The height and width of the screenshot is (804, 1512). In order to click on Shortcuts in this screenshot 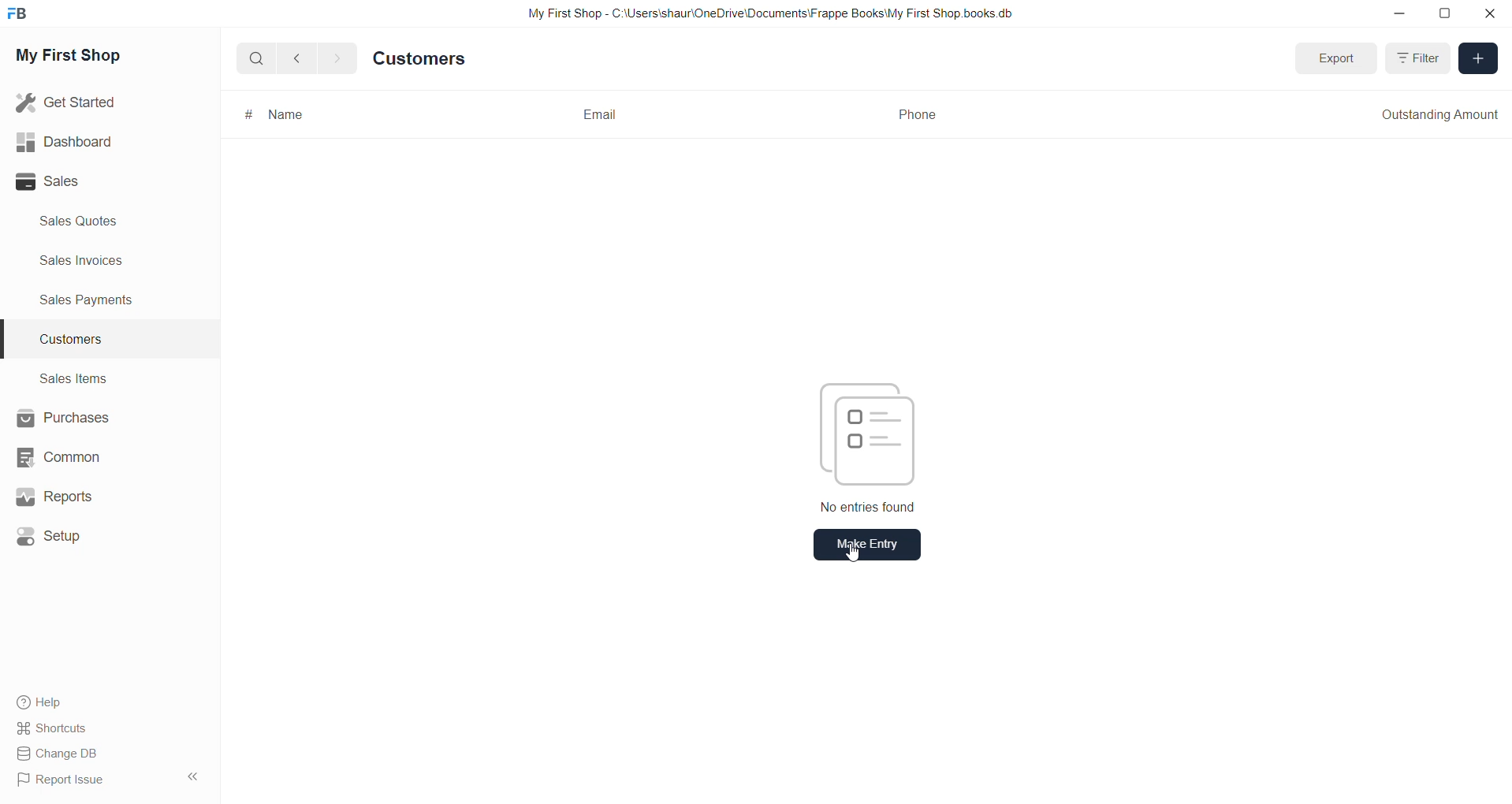, I will do `click(53, 728)`.